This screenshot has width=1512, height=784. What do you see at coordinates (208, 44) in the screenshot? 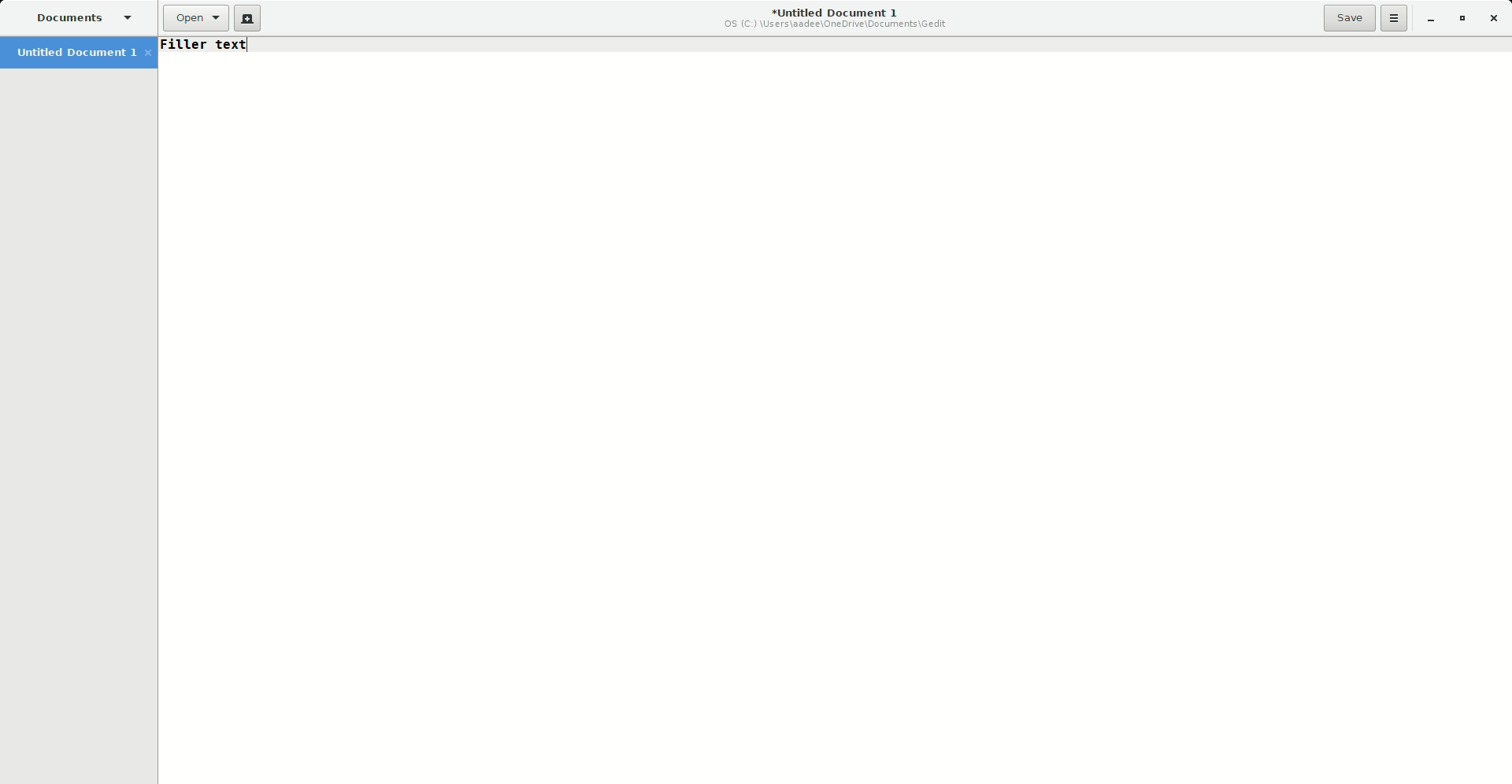
I see `Redone text` at bounding box center [208, 44].